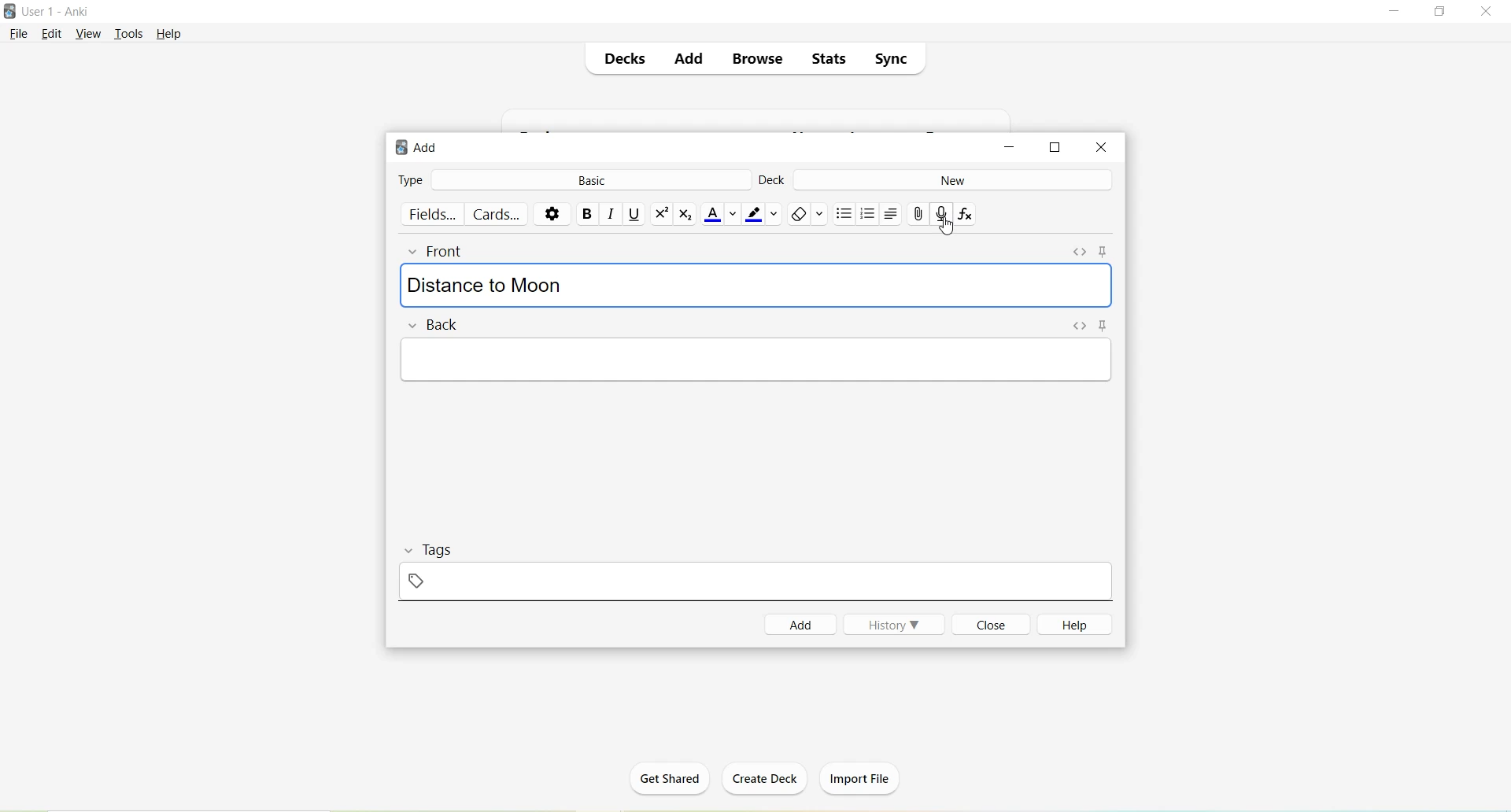  Describe the element at coordinates (485, 283) in the screenshot. I see `Distance to Moon` at that location.